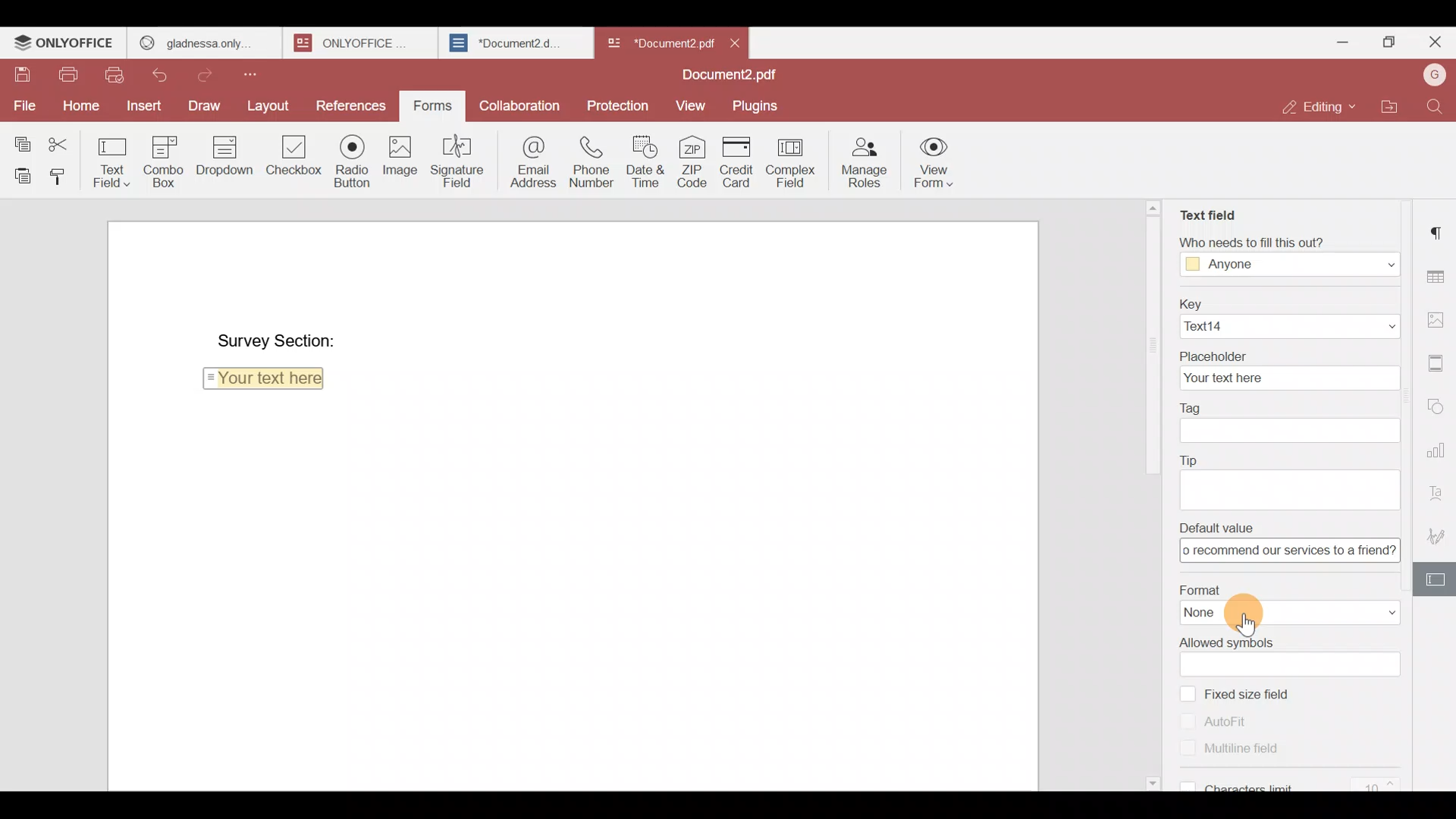  What do you see at coordinates (290, 159) in the screenshot?
I see `Checkbox` at bounding box center [290, 159].